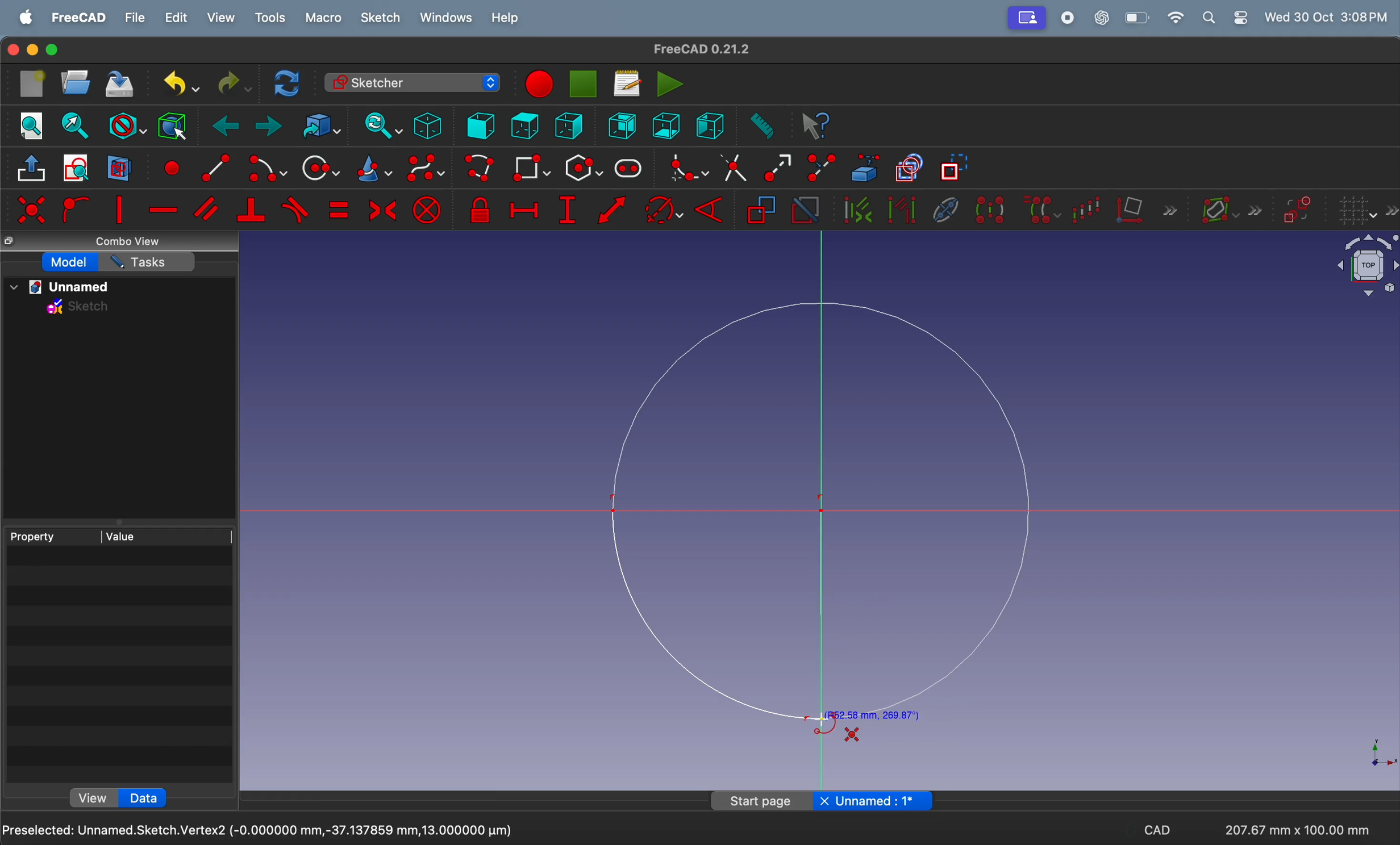 This screenshot has width=1400, height=845. What do you see at coordinates (777, 166) in the screenshot?
I see `extend edge` at bounding box center [777, 166].